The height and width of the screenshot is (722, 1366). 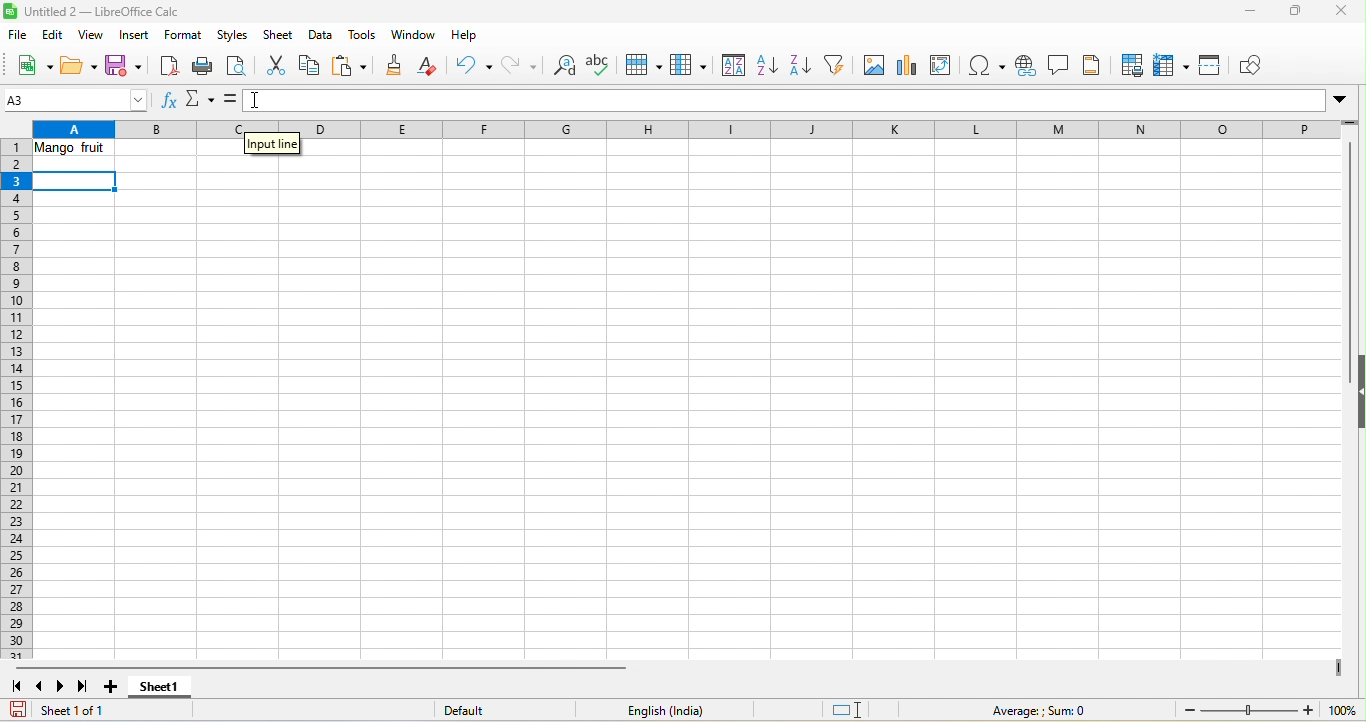 I want to click on paste, so click(x=350, y=67).